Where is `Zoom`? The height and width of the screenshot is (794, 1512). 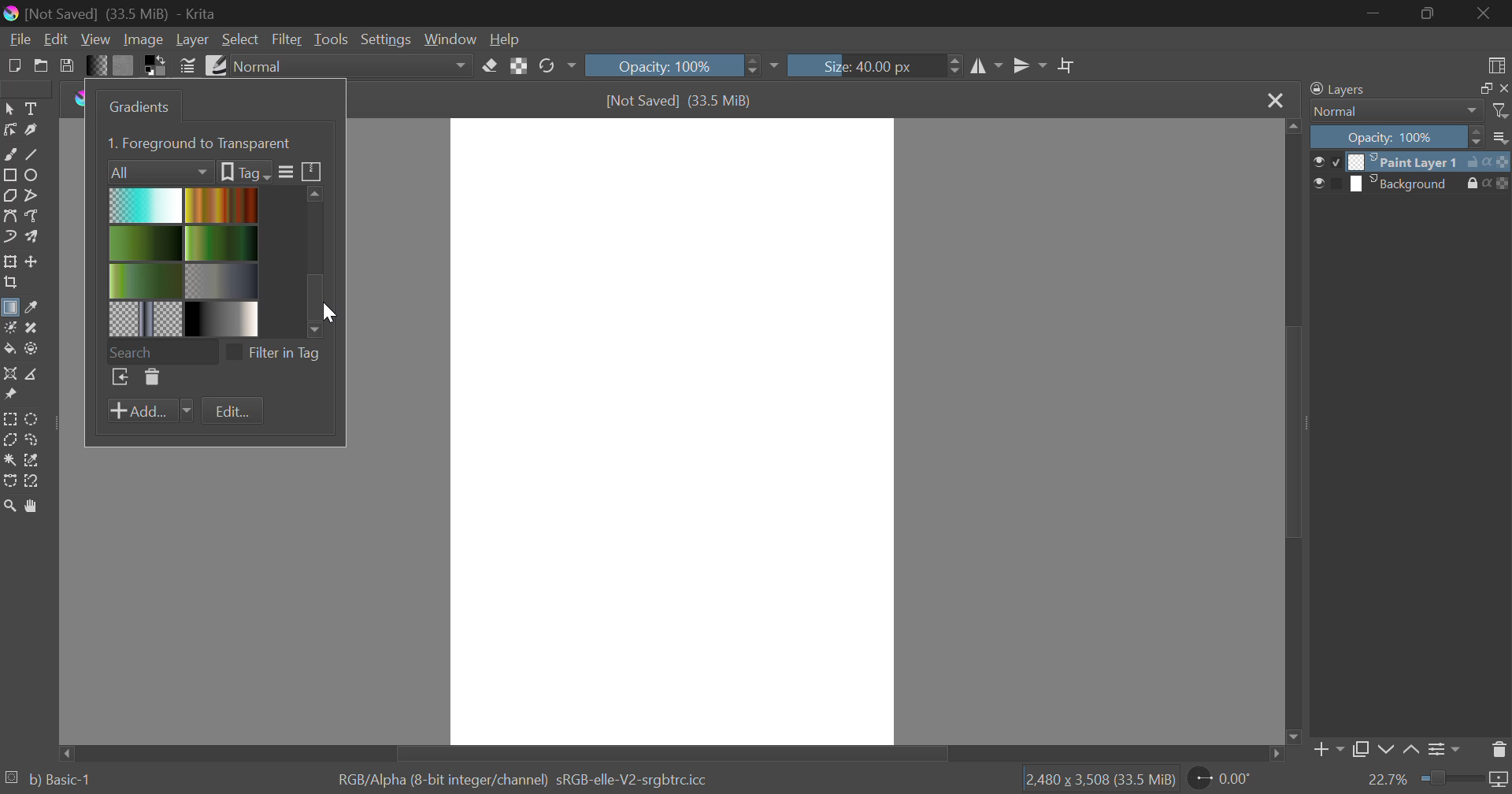
Zoom is located at coordinates (9, 506).